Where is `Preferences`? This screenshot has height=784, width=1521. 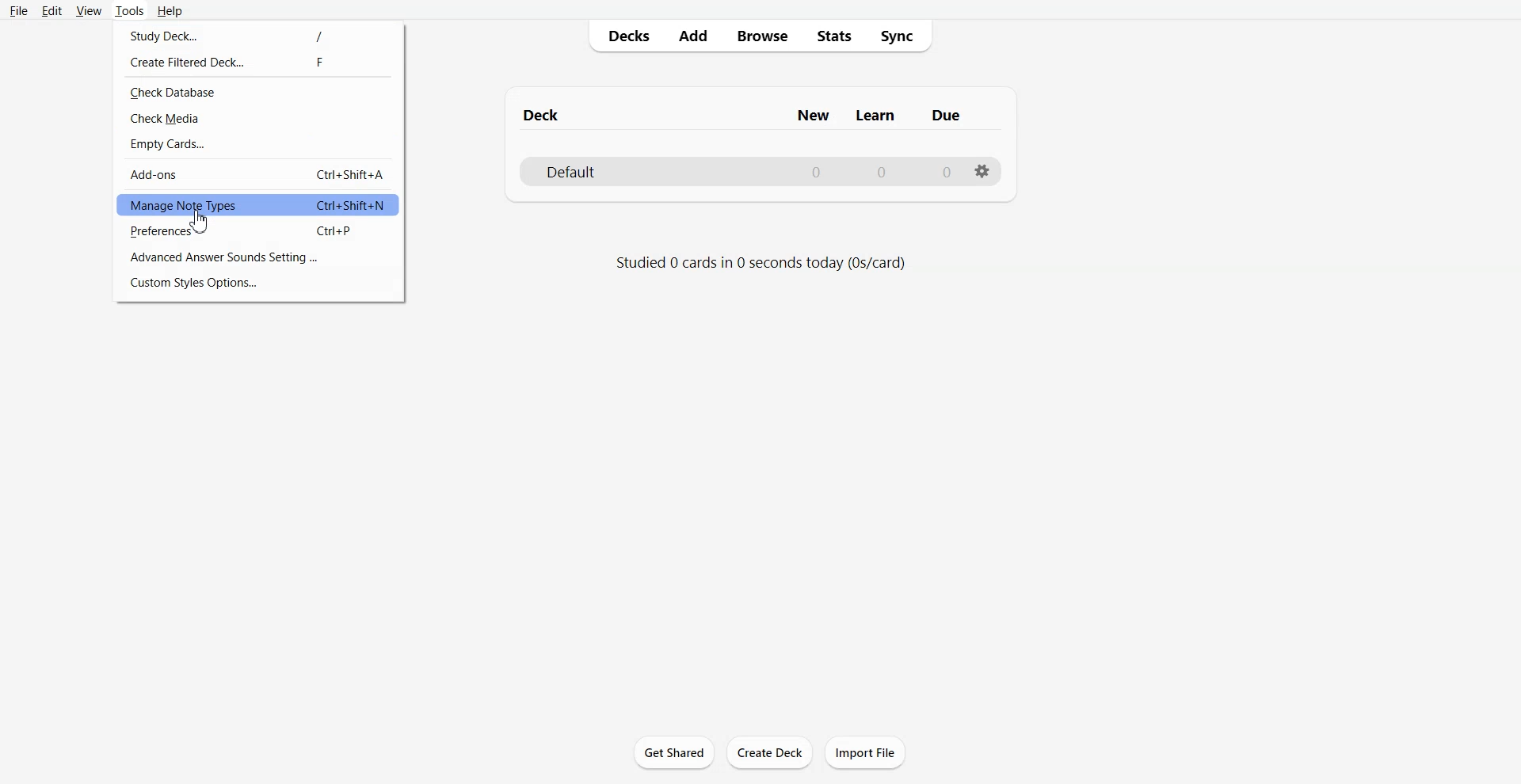 Preferences is located at coordinates (258, 233).